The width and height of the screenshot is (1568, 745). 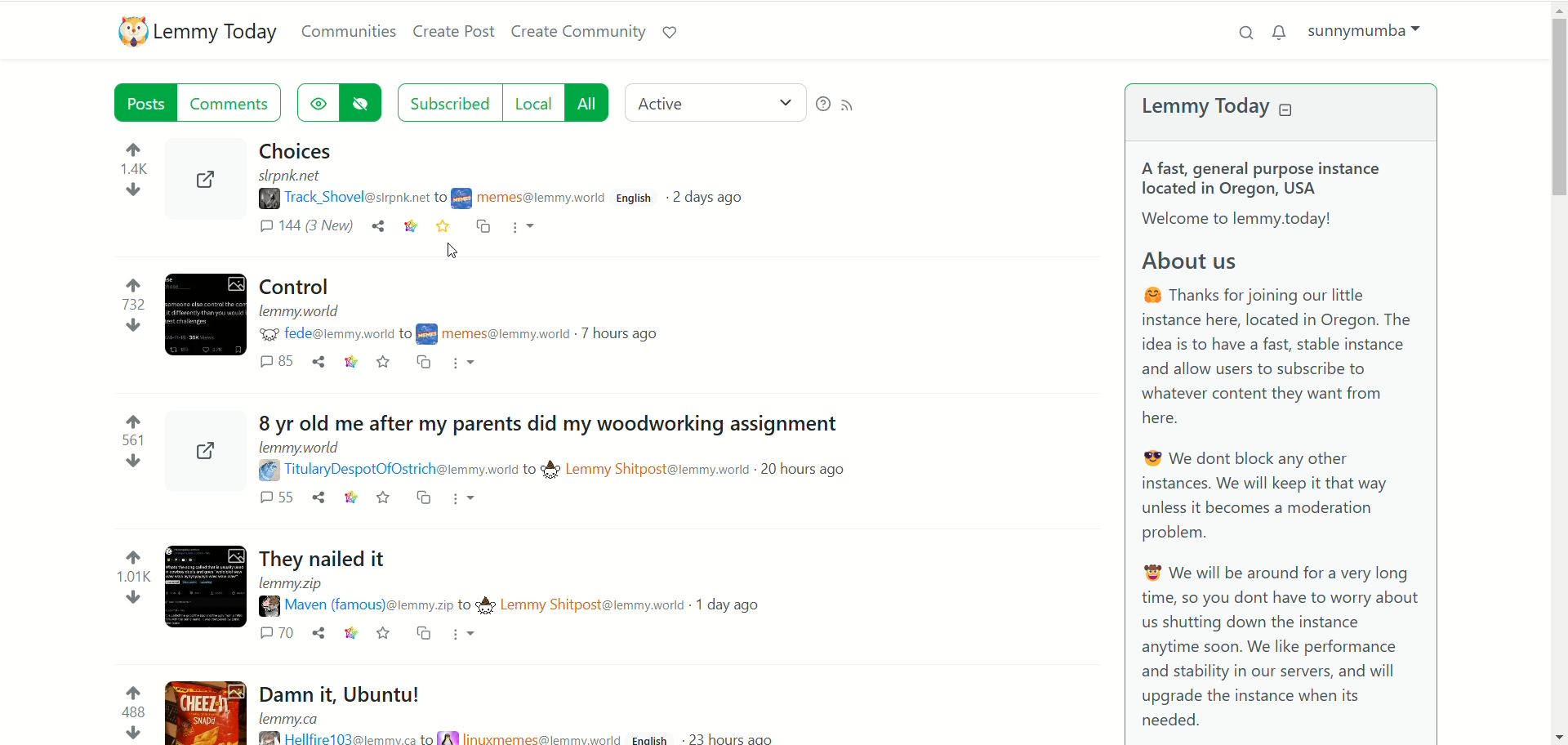 What do you see at coordinates (677, 34) in the screenshot?
I see `support lemmy` at bounding box center [677, 34].